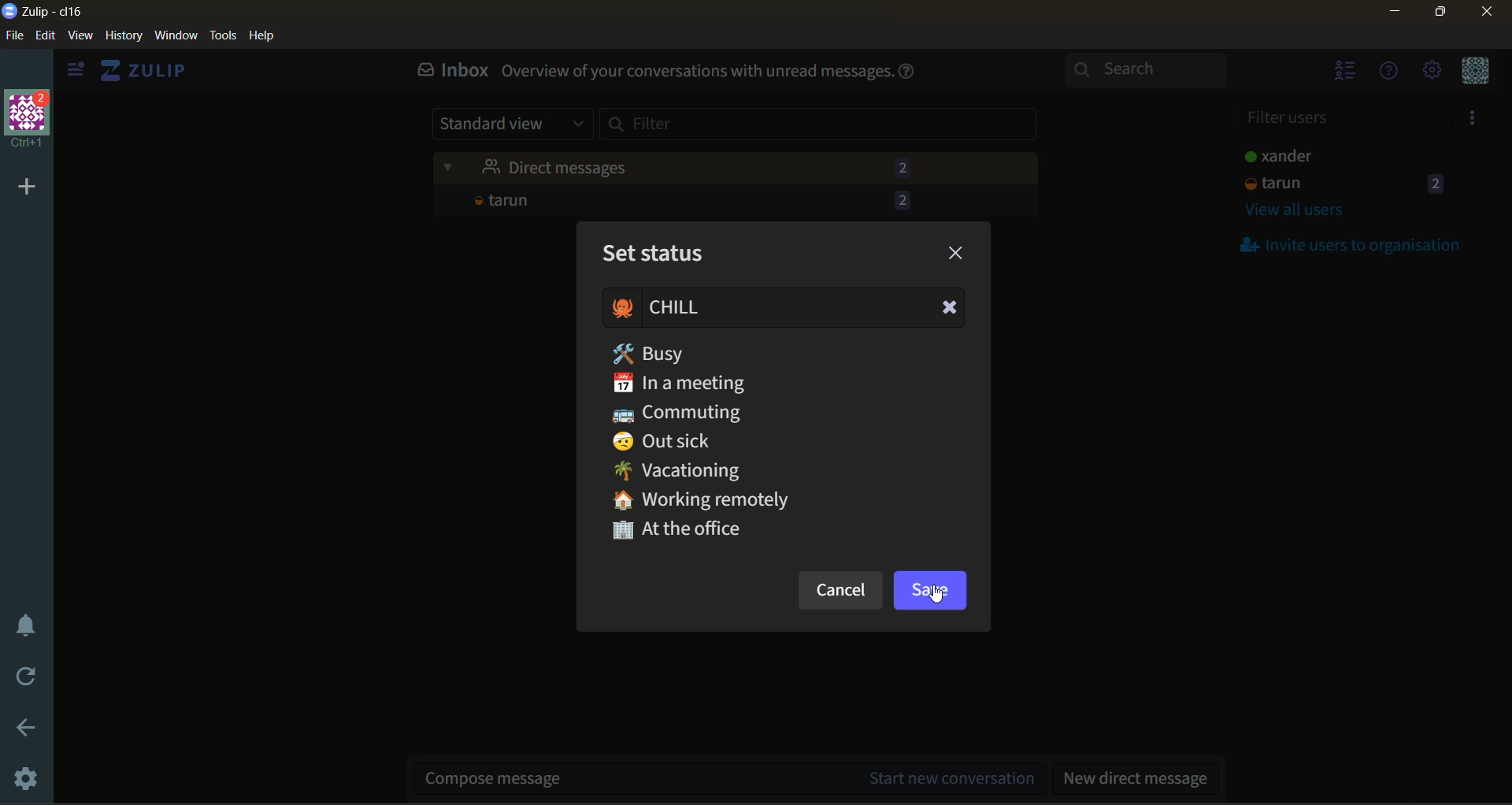  Describe the element at coordinates (24, 122) in the screenshot. I see `organisation name and profile picture` at that location.